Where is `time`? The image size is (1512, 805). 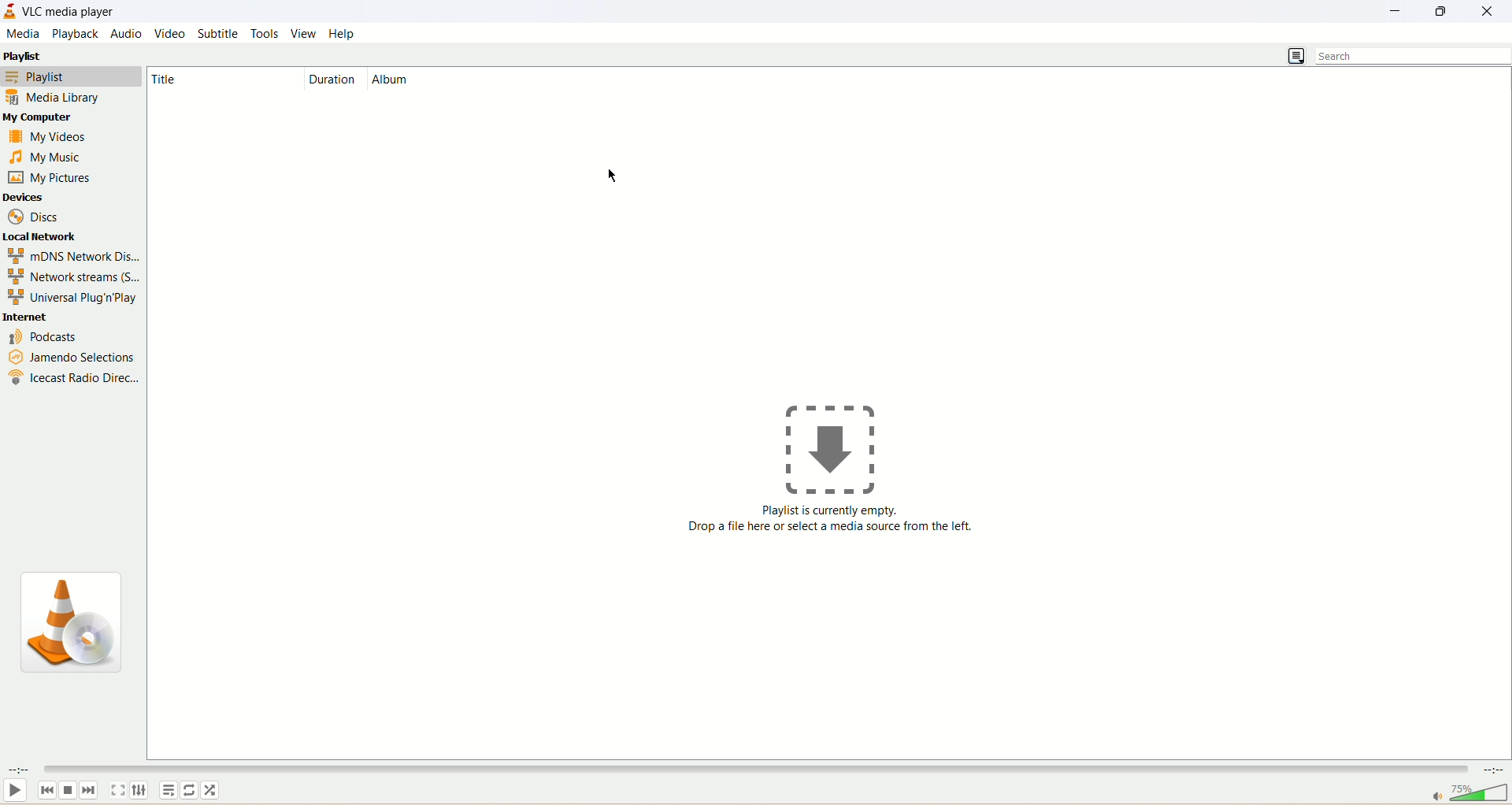 time is located at coordinates (17, 773).